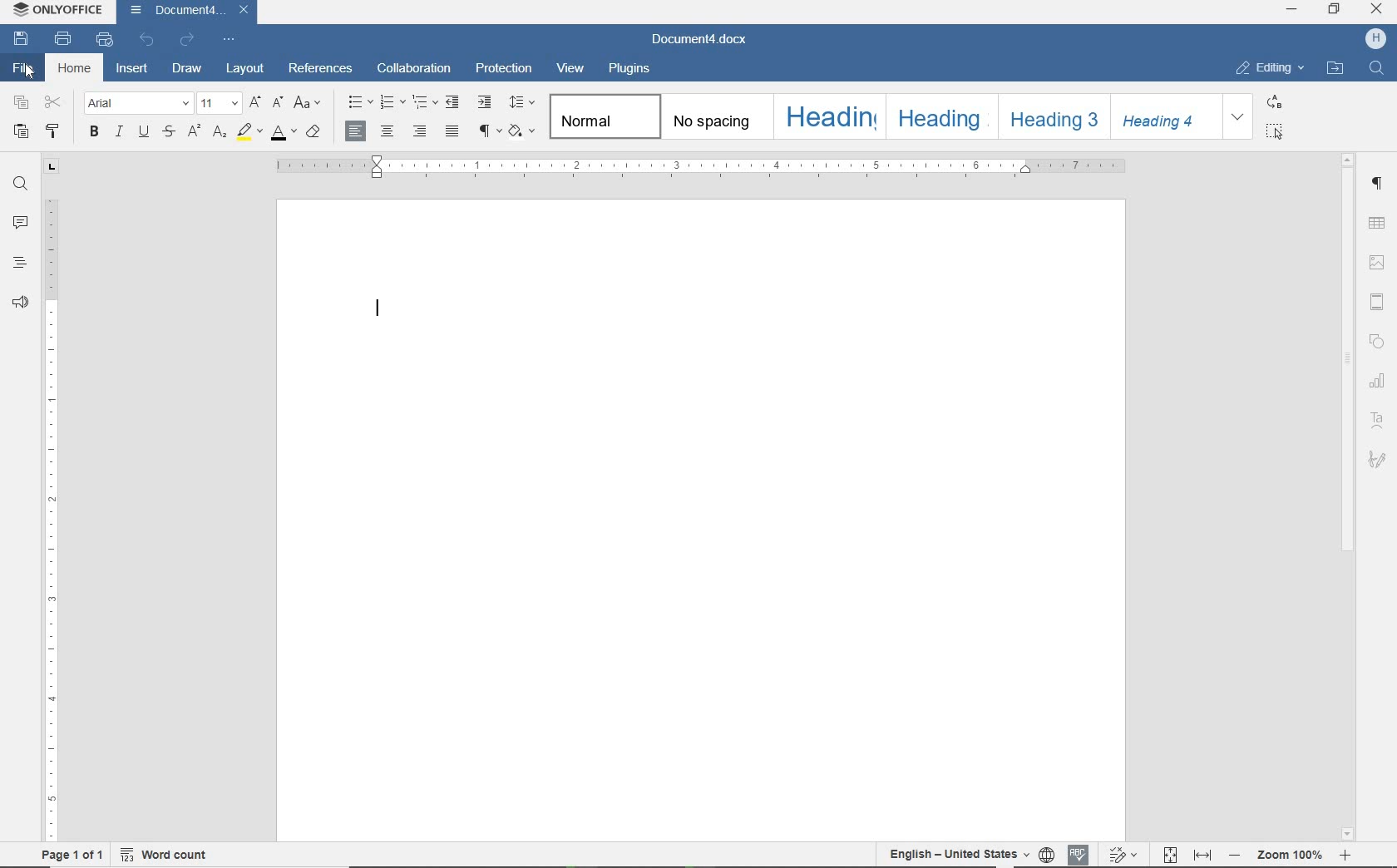 The width and height of the screenshot is (1397, 868). I want to click on font color, so click(285, 133).